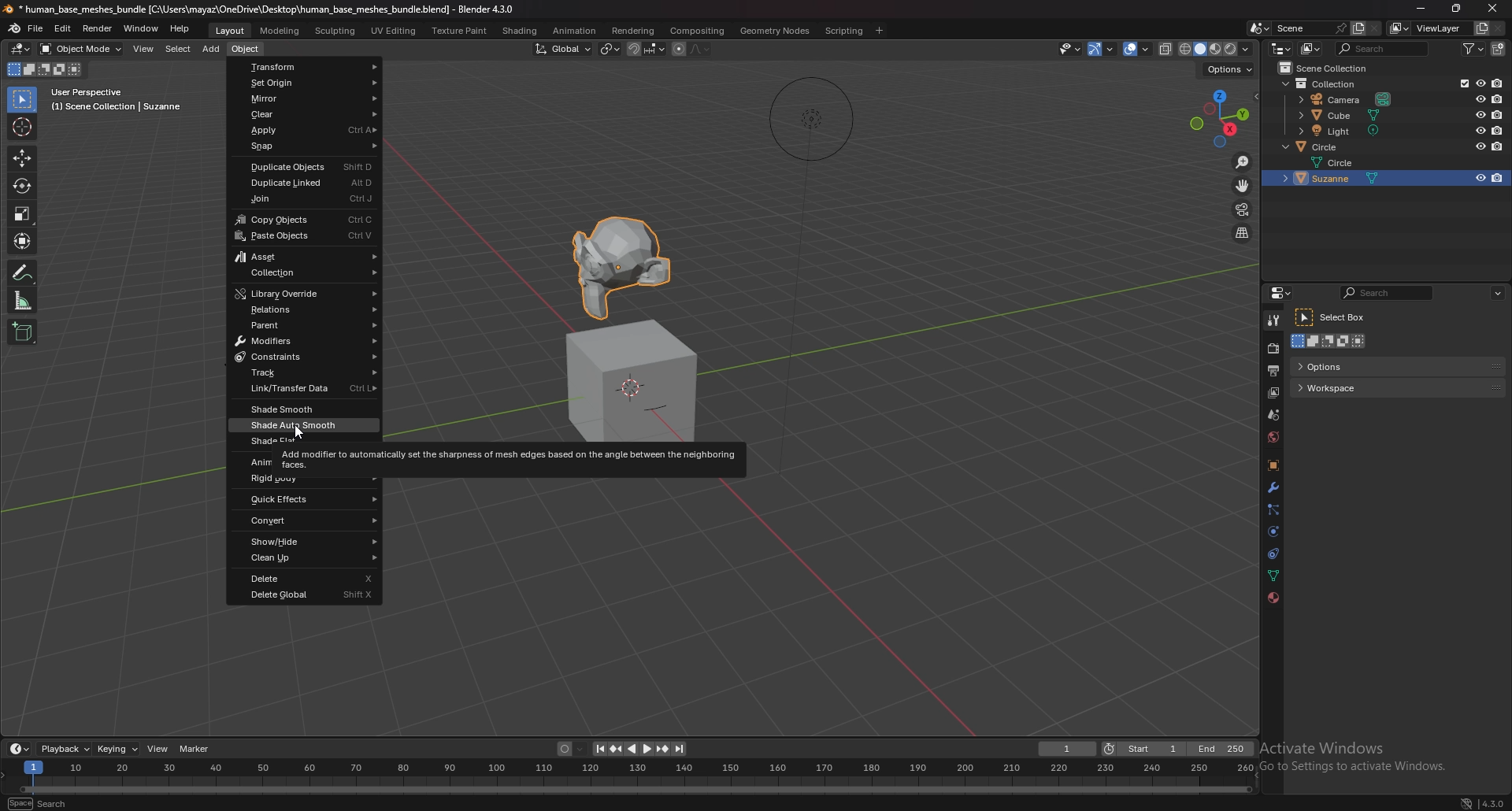  I want to click on select, so click(179, 49).